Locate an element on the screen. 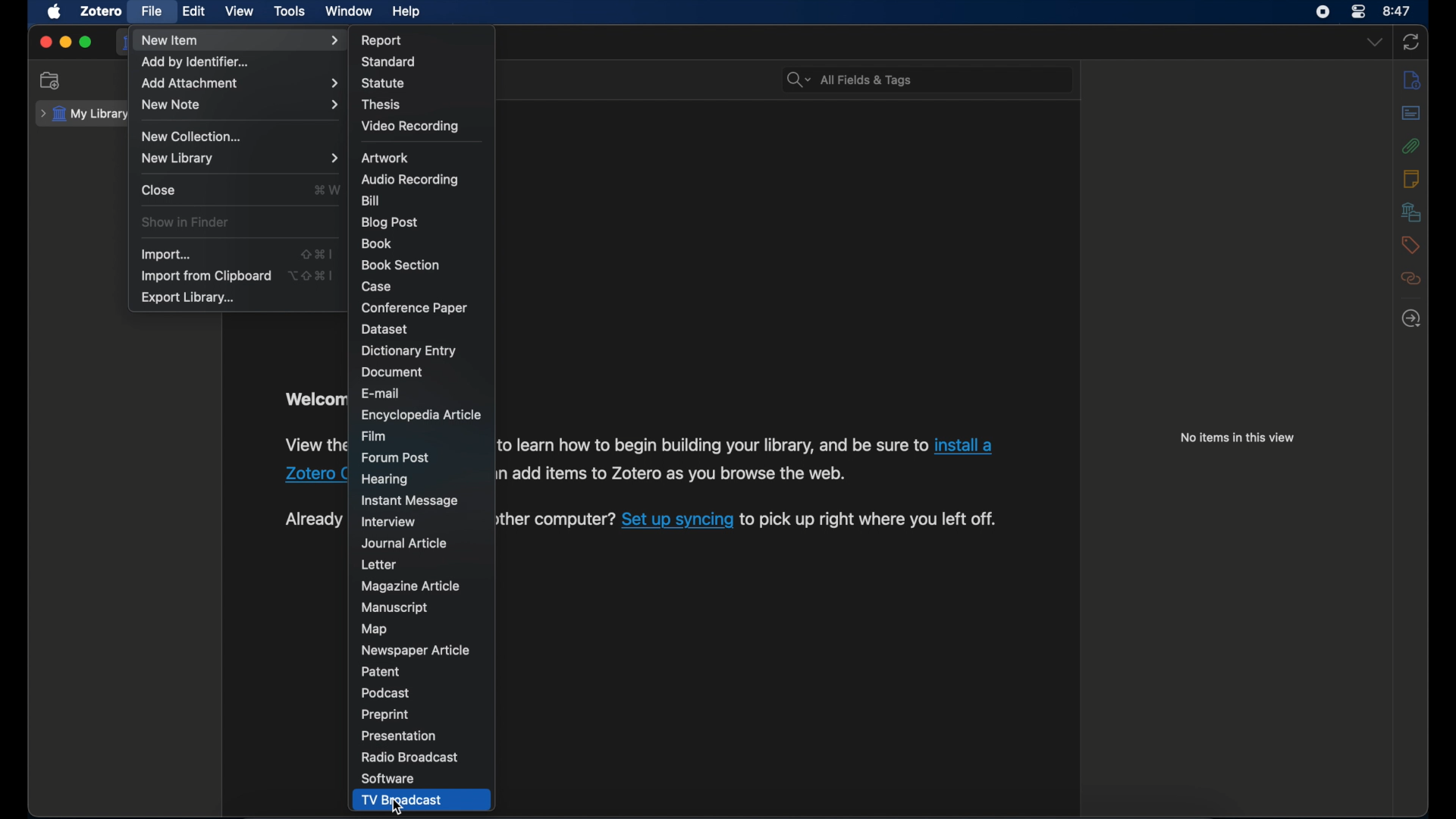 The height and width of the screenshot is (819, 1456). shortcut is located at coordinates (315, 253).